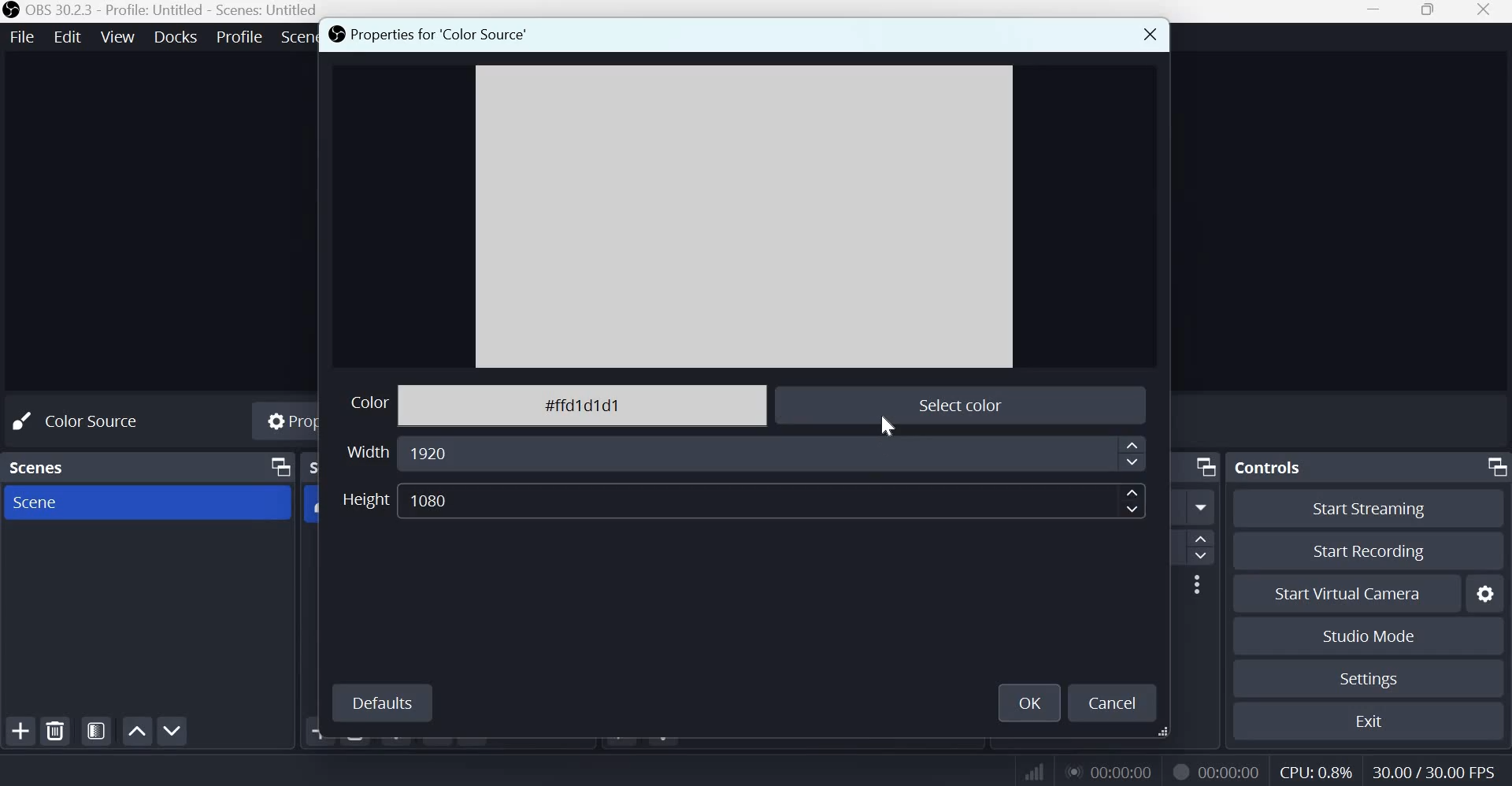 Image resolution: width=1512 pixels, height=786 pixels. What do you see at coordinates (287, 423) in the screenshot?
I see `Properties` at bounding box center [287, 423].